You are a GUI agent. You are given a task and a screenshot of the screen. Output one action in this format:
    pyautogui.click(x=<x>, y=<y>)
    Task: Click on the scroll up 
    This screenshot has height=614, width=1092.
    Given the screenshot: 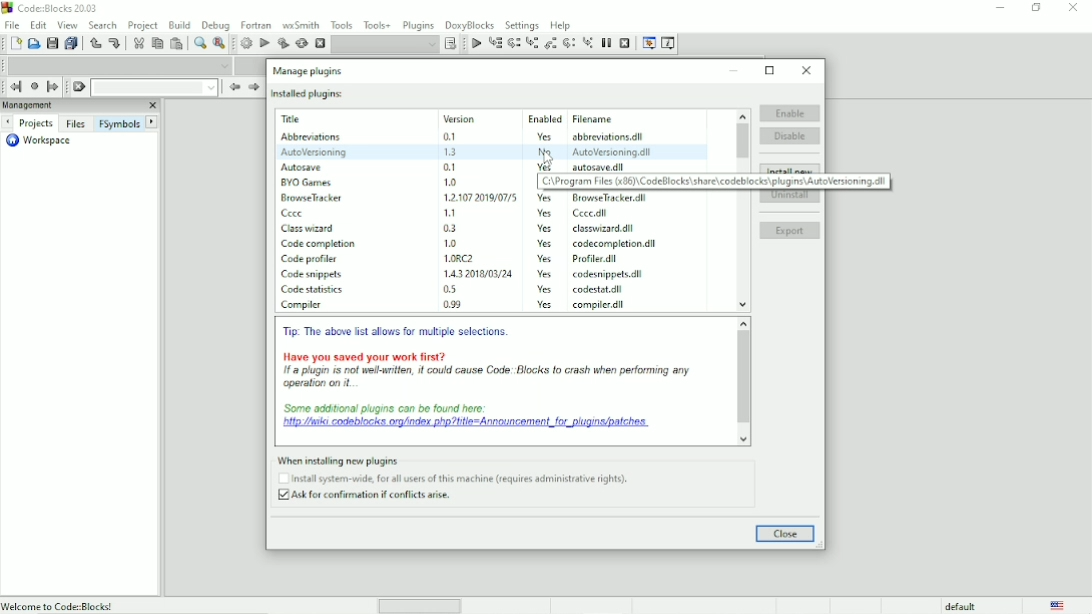 What is the action you would take?
    pyautogui.click(x=742, y=322)
    